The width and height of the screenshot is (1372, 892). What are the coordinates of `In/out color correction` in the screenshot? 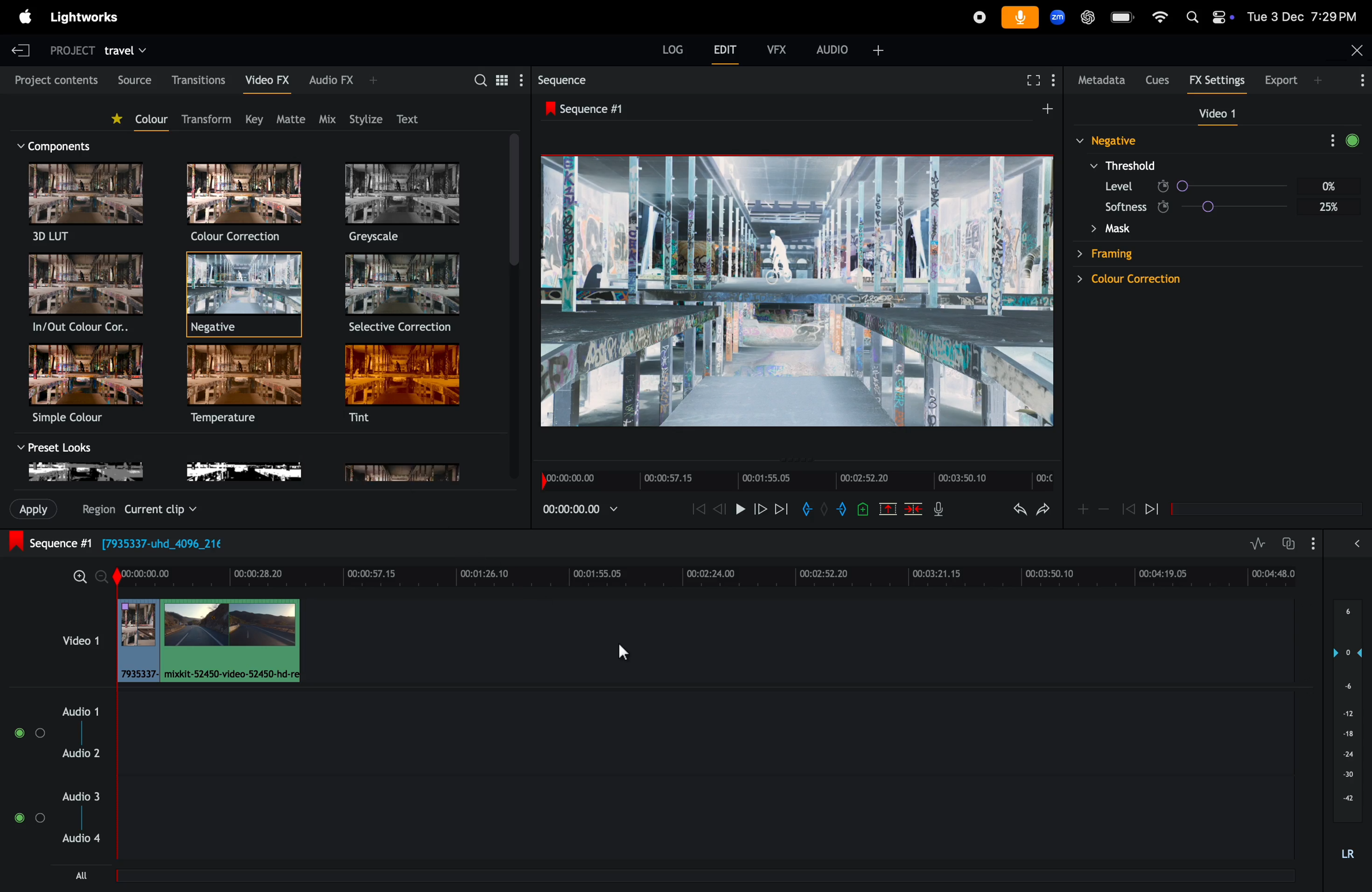 It's located at (84, 295).